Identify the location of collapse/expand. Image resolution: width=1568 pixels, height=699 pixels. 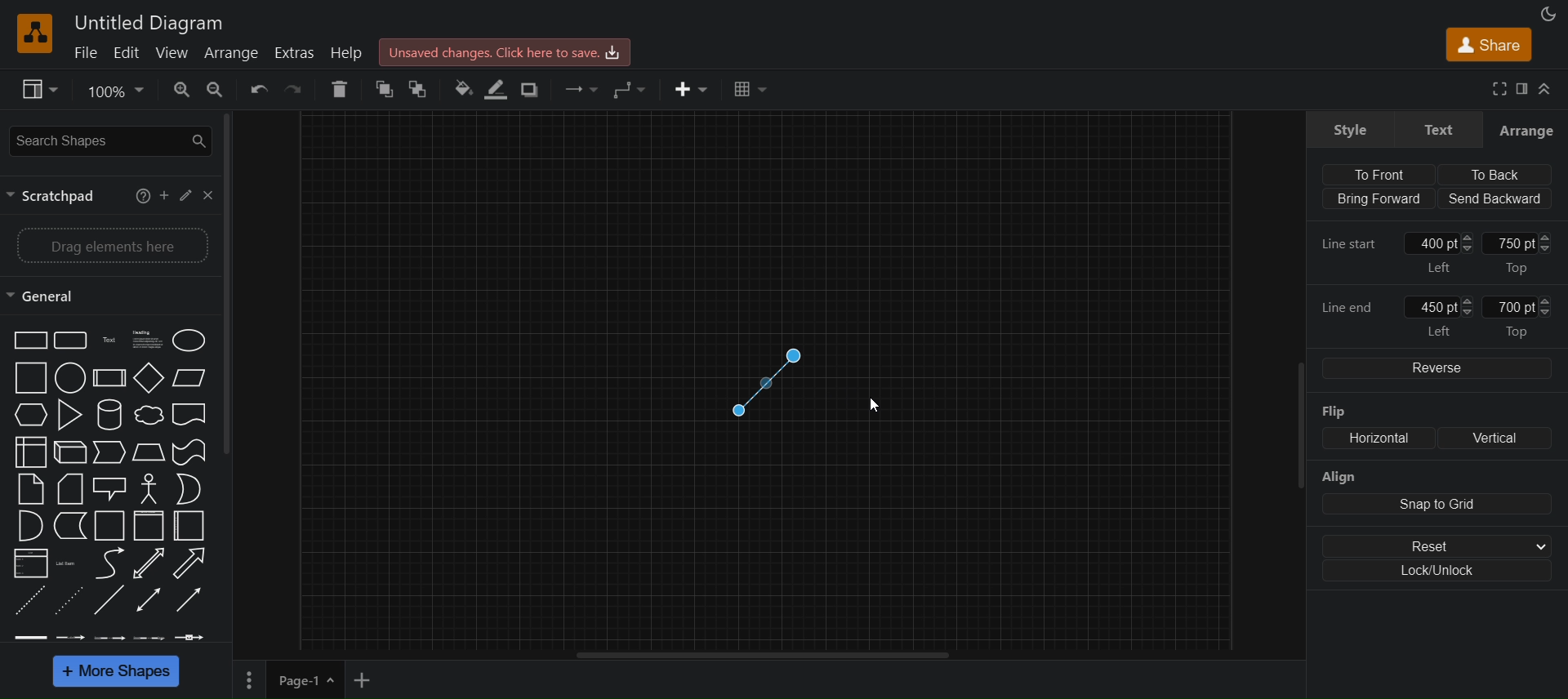
(1549, 90).